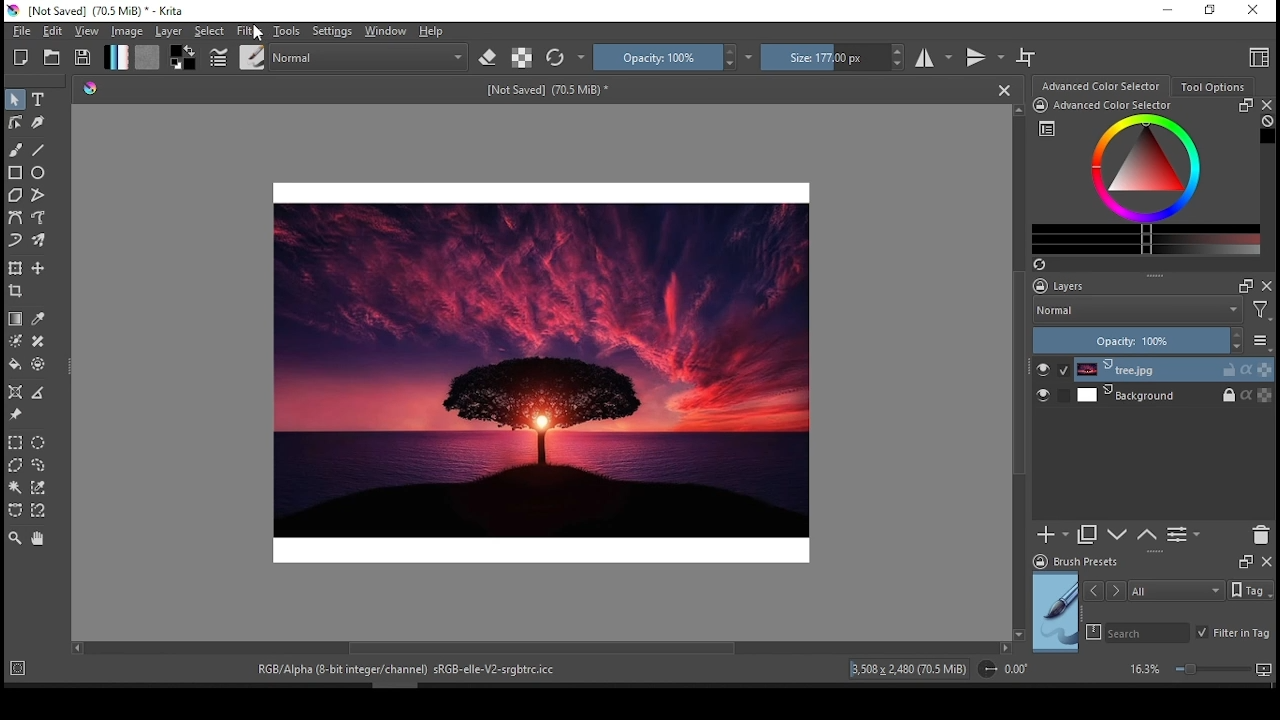 The height and width of the screenshot is (720, 1280). Describe the element at coordinates (910, 669) in the screenshot. I see `image details` at that location.